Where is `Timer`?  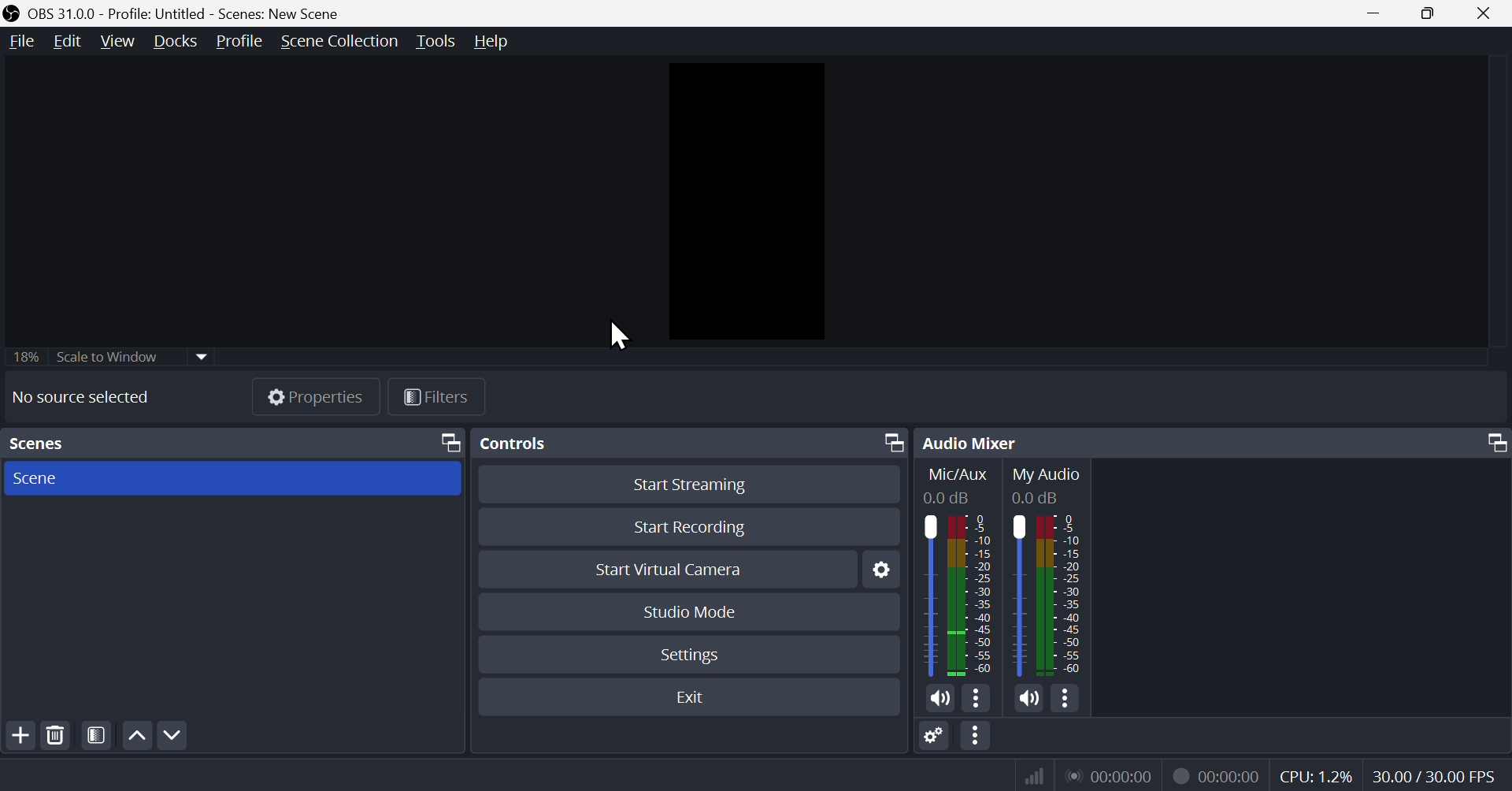 Timer is located at coordinates (1114, 775).